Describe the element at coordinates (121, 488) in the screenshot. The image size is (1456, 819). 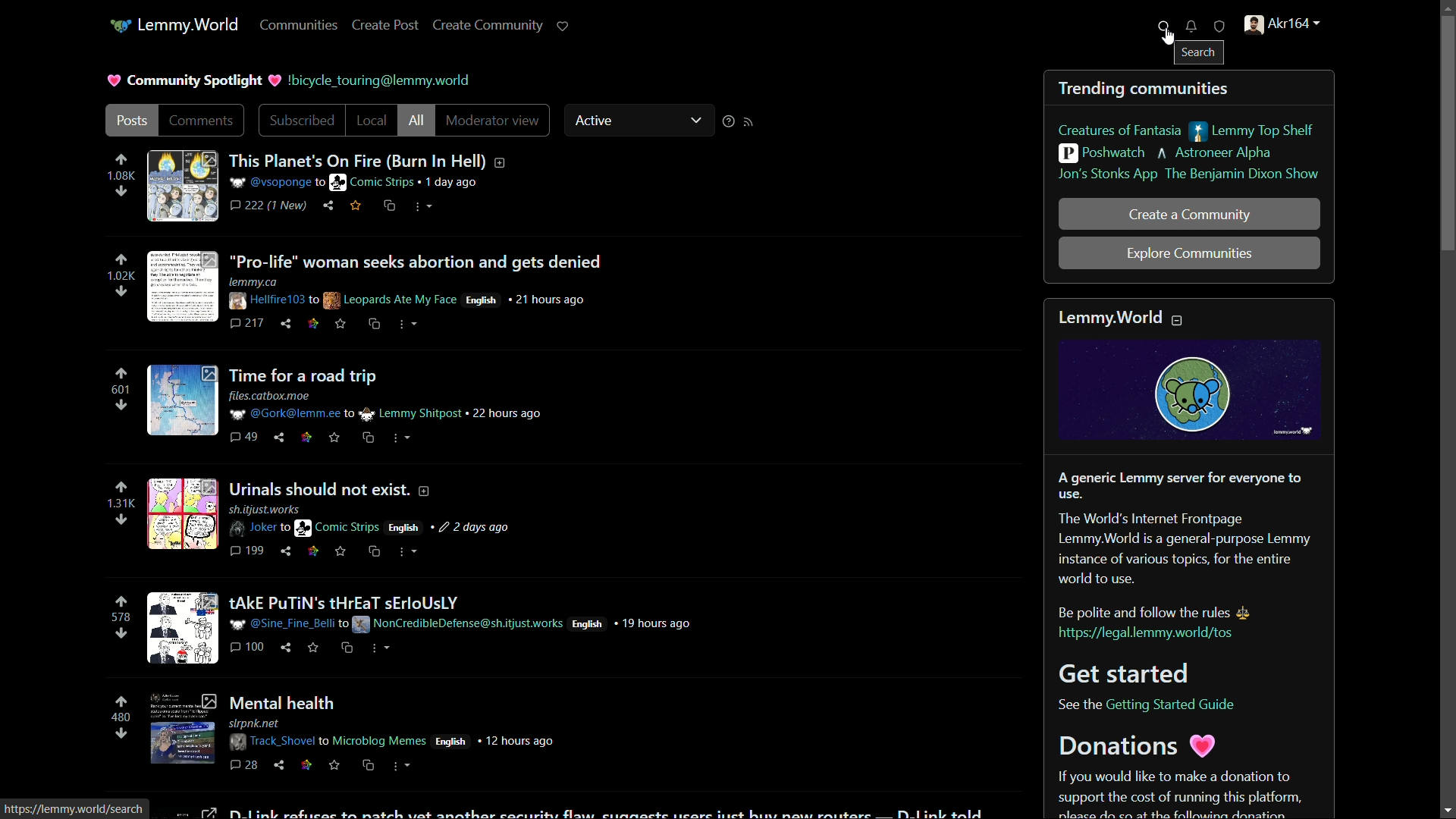
I see `upvote` at that location.